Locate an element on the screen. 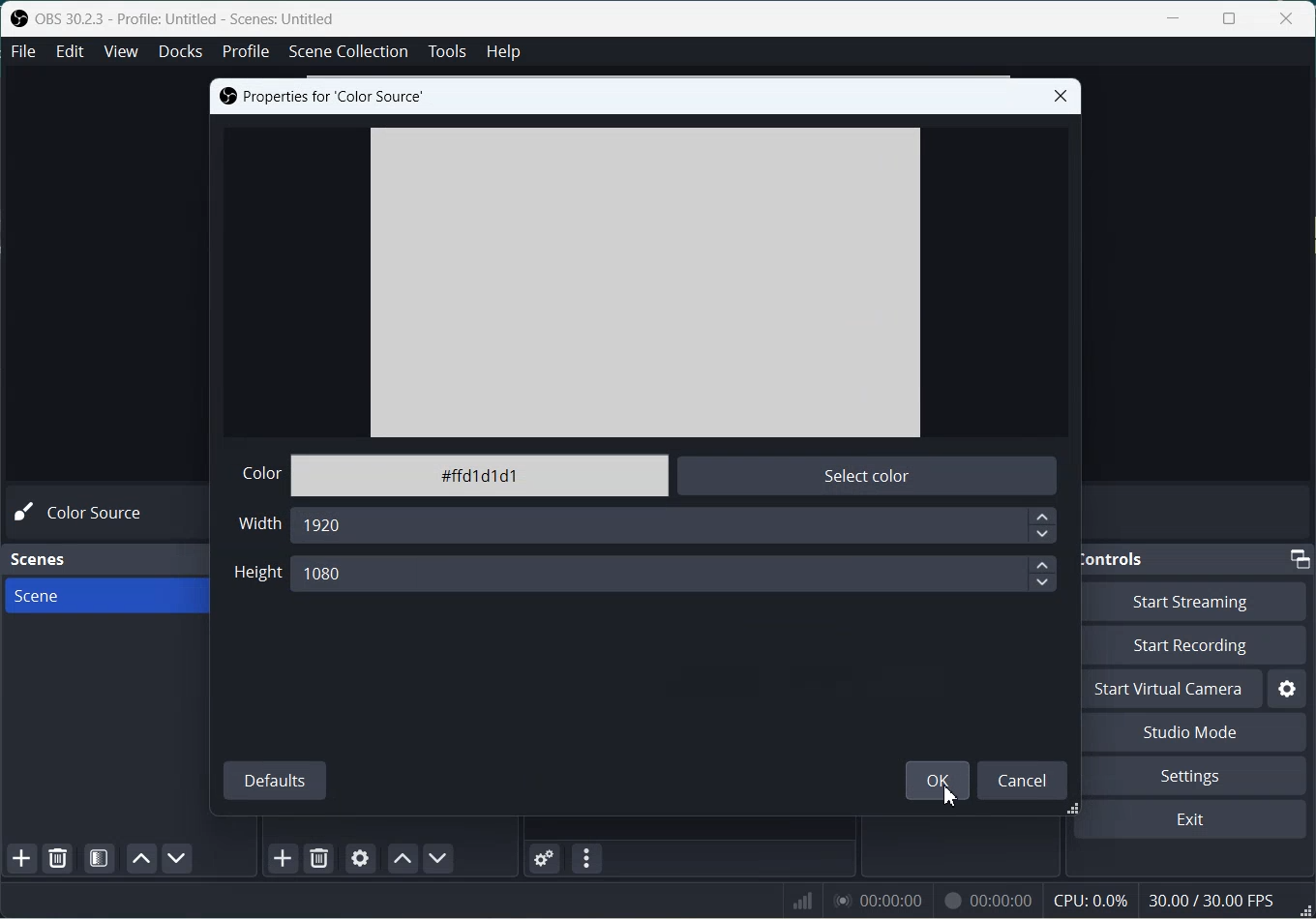  Remove selected Scene is located at coordinates (56, 859).